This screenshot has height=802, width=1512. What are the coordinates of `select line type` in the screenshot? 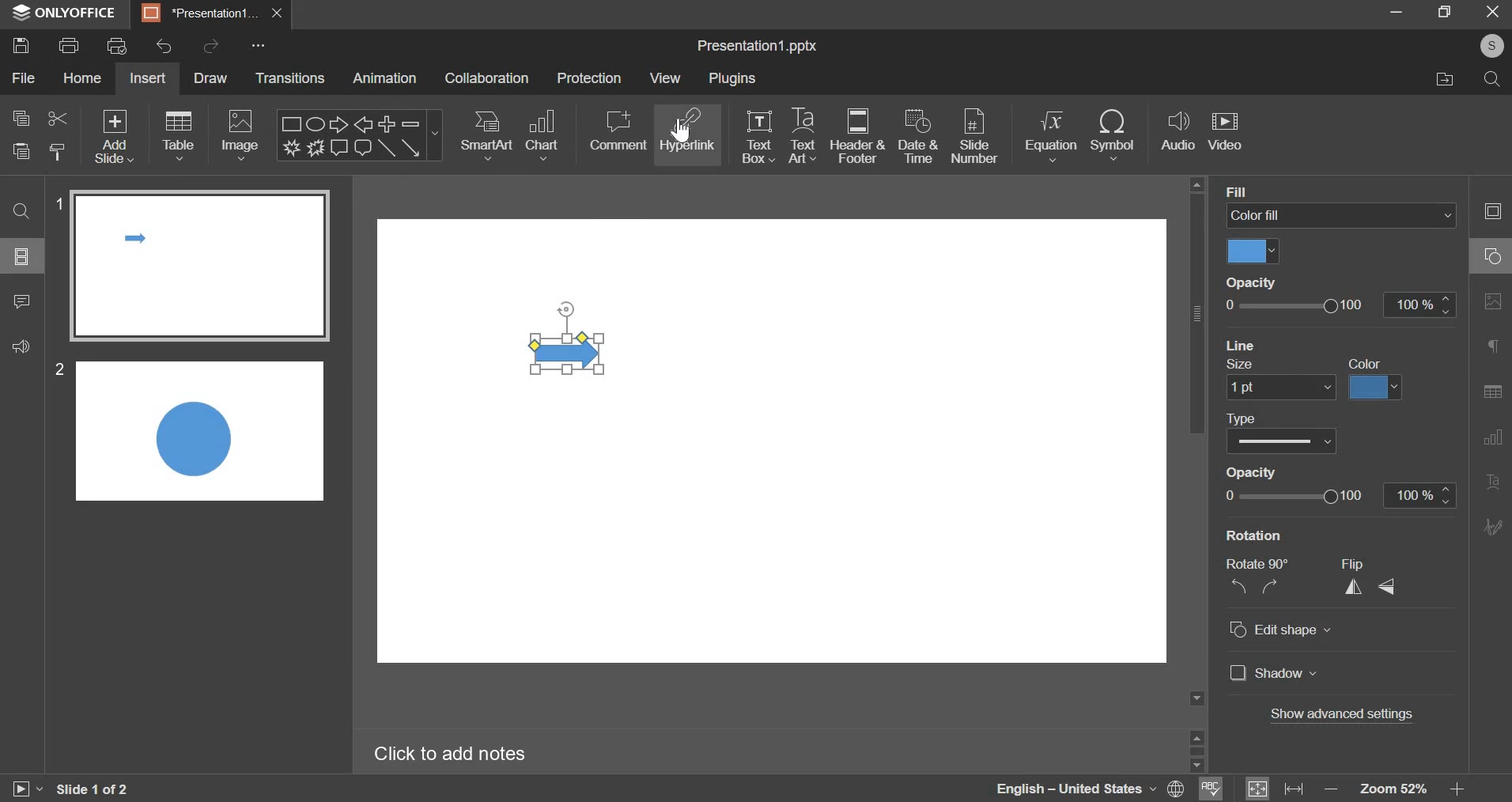 It's located at (1284, 443).